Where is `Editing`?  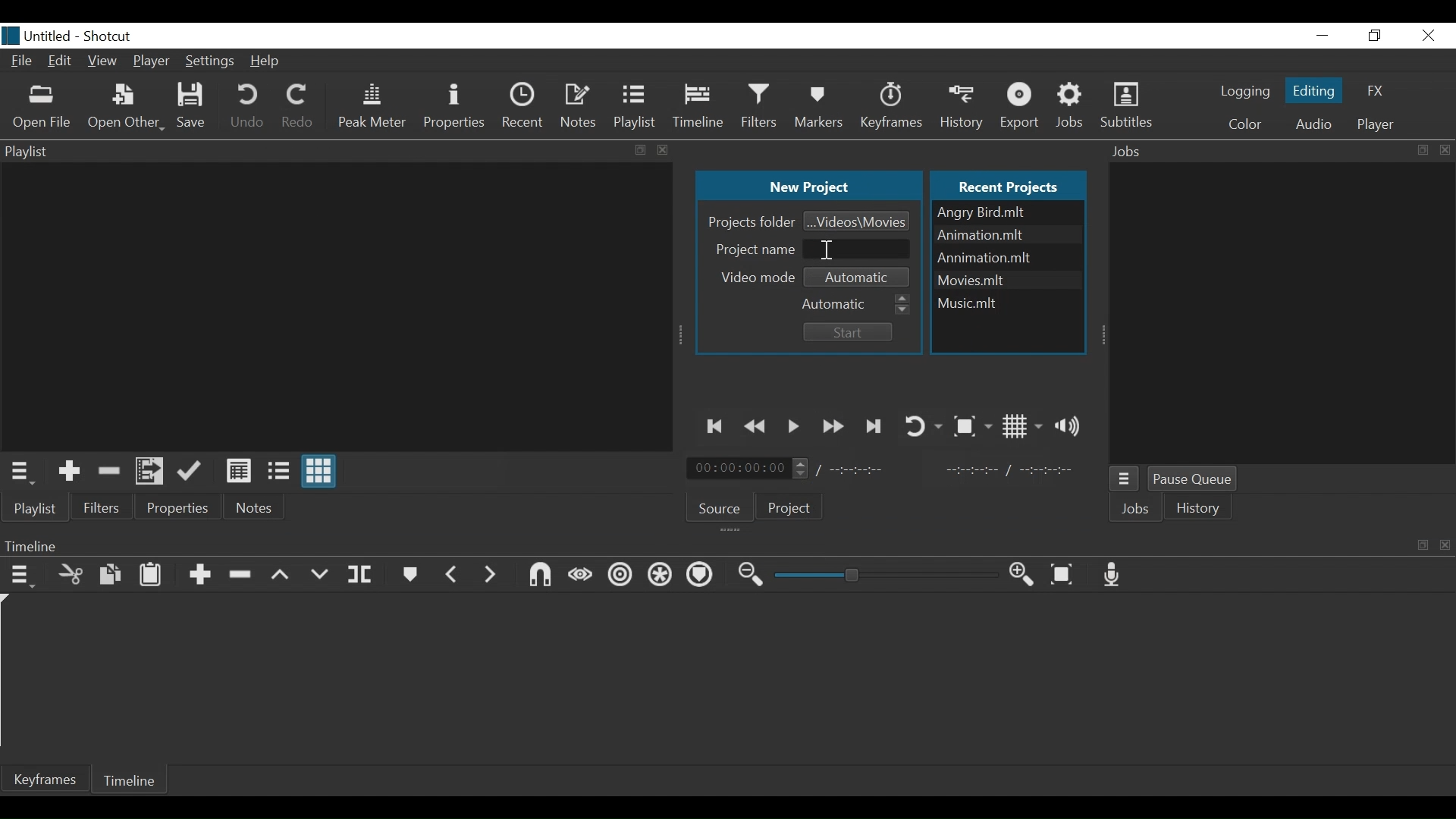
Editing is located at coordinates (1312, 89).